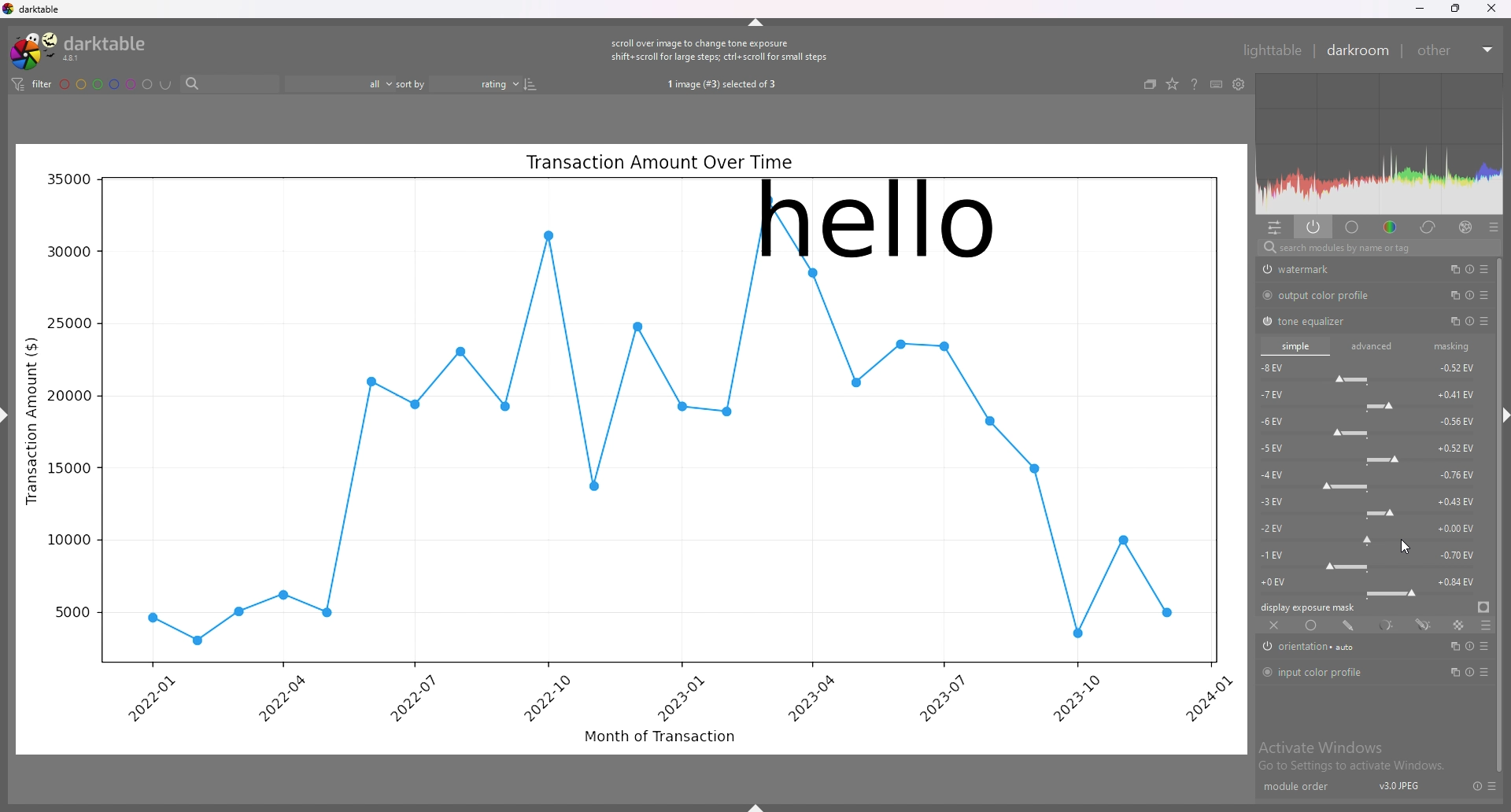 The height and width of the screenshot is (812, 1511). I want to click on -7 EV force, so click(1369, 398).